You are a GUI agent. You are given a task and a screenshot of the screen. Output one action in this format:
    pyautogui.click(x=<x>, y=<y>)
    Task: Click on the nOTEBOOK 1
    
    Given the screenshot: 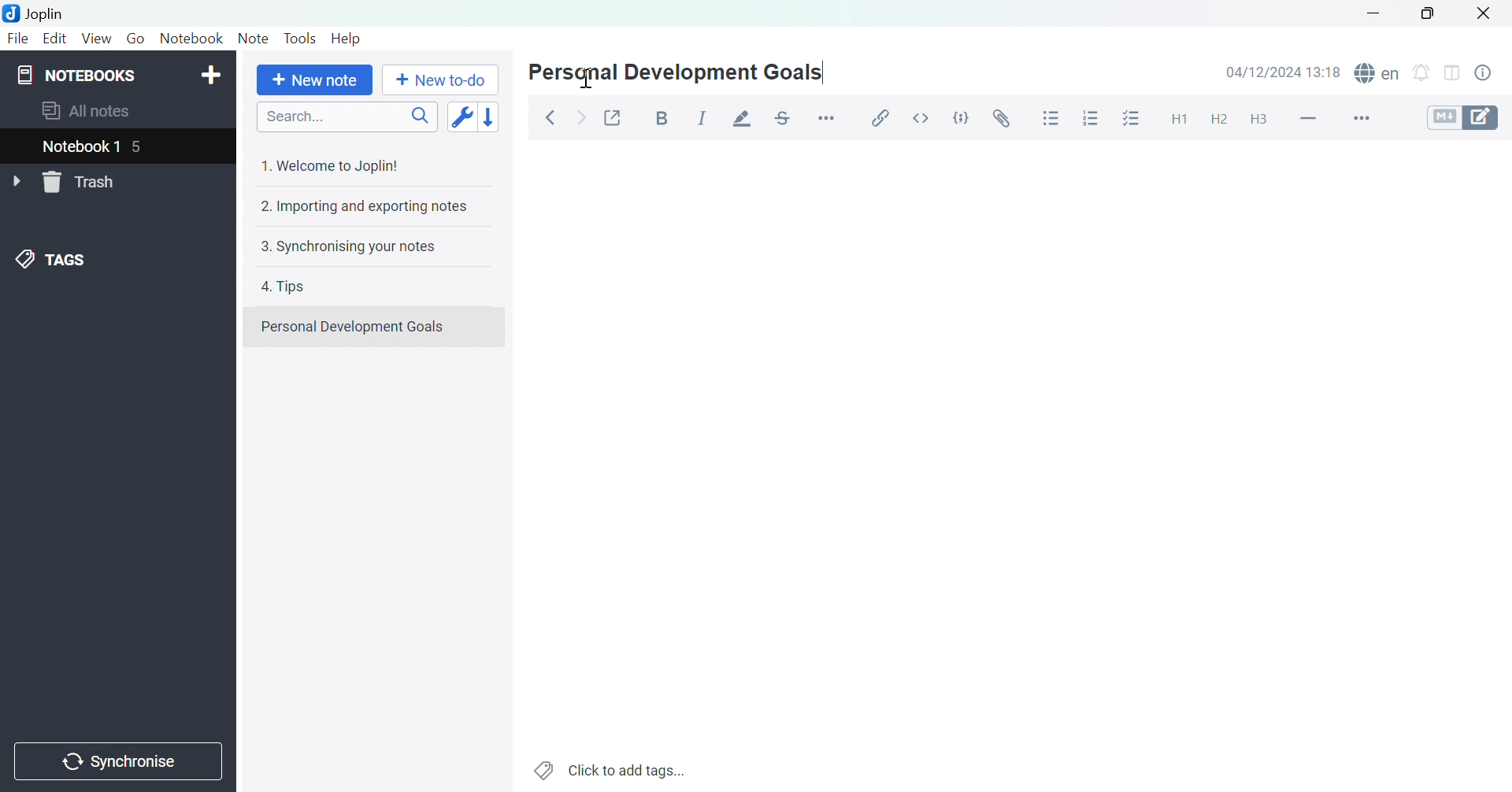 What is the action you would take?
    pyautogui.click(x=83, y=146)
    